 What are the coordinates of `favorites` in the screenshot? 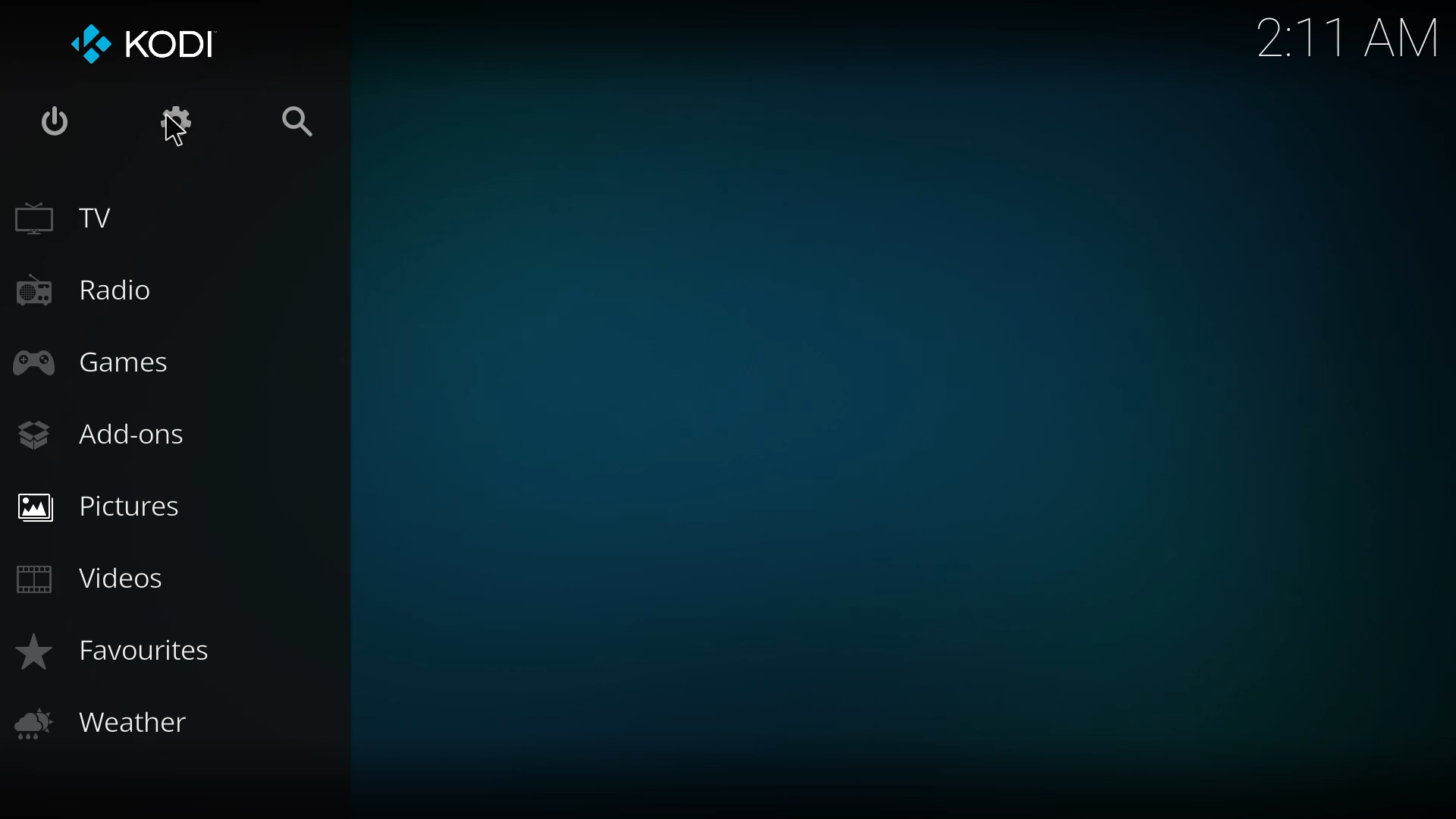 It's located at (128, 650).